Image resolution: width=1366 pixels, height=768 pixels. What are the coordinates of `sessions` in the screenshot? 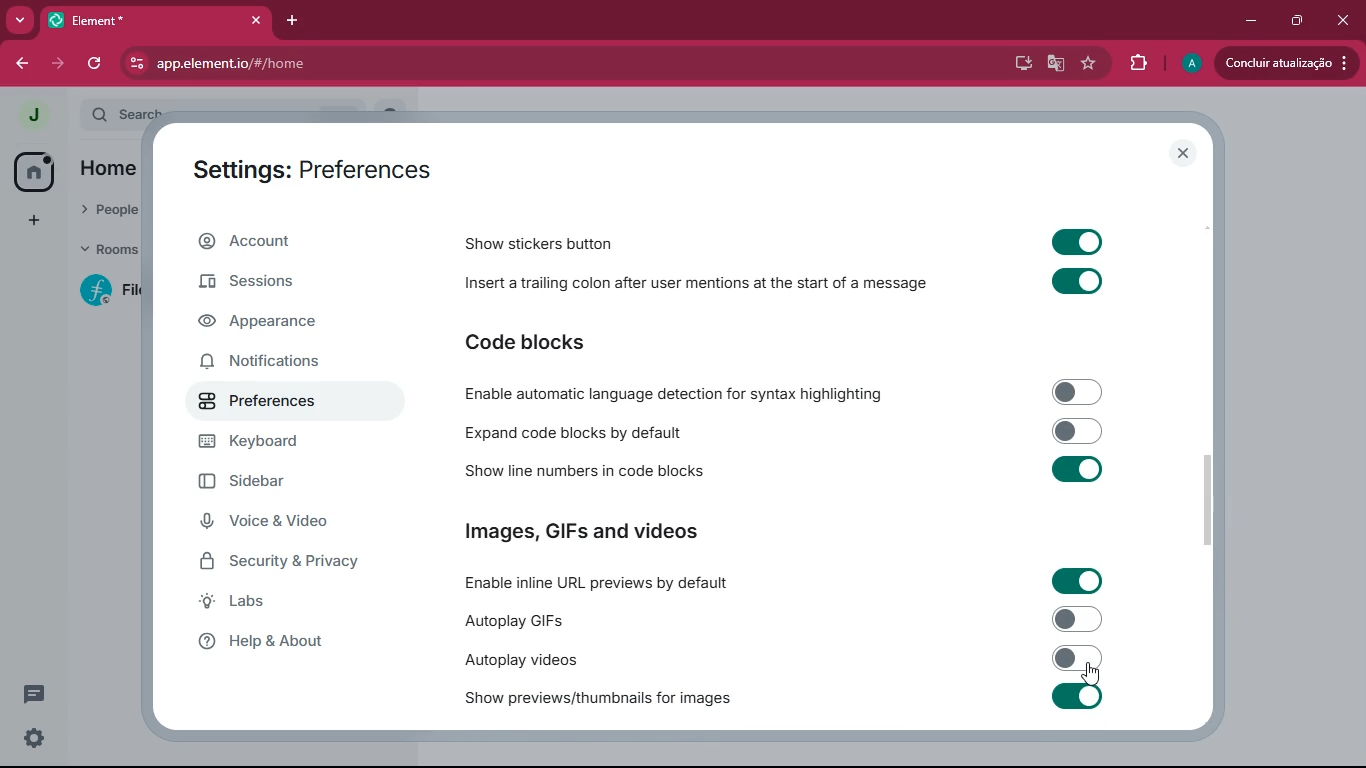 It's located at (272, 284).